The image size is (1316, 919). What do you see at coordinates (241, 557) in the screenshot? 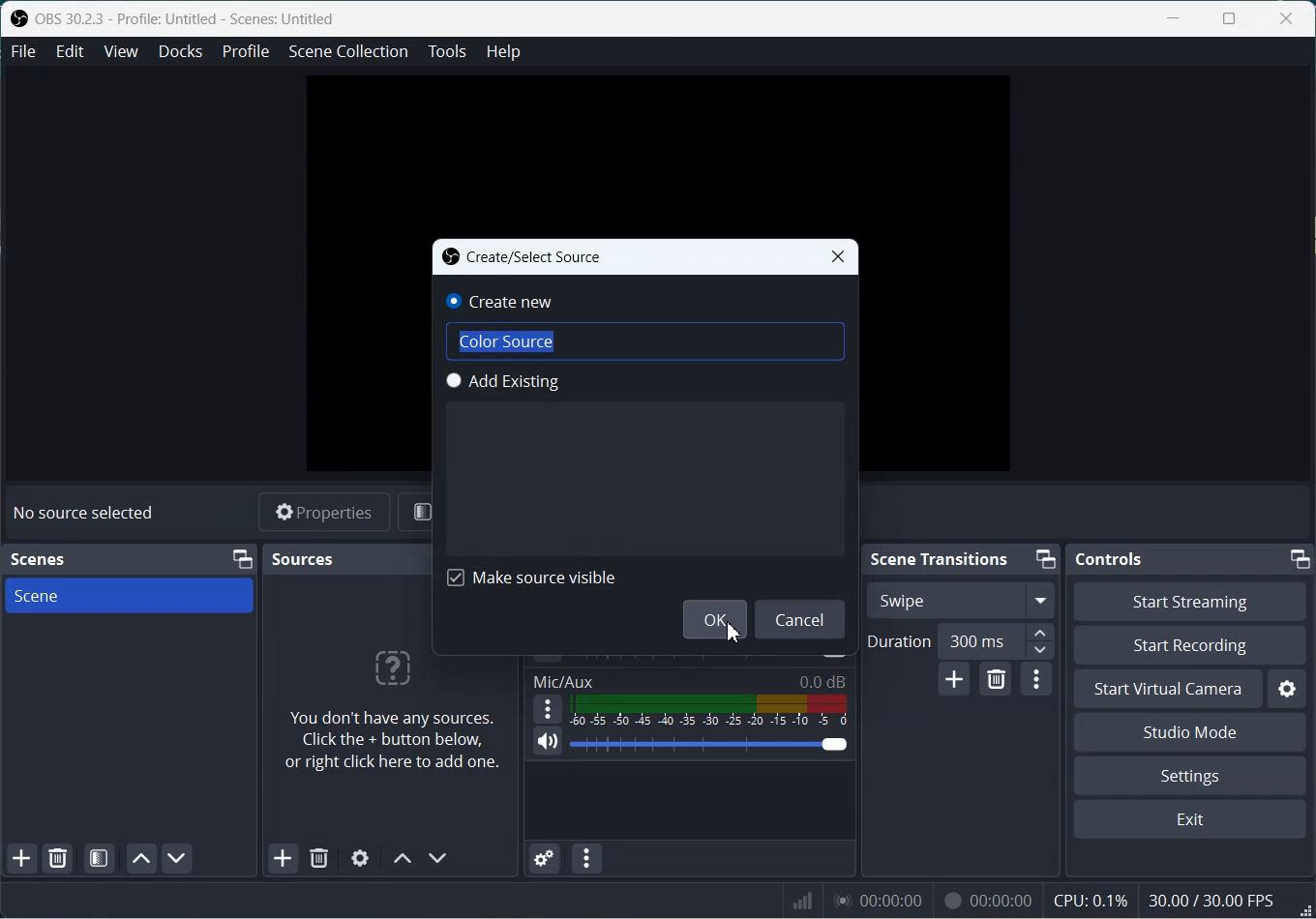
I see `Minimize` at bounding box center [241, 557].